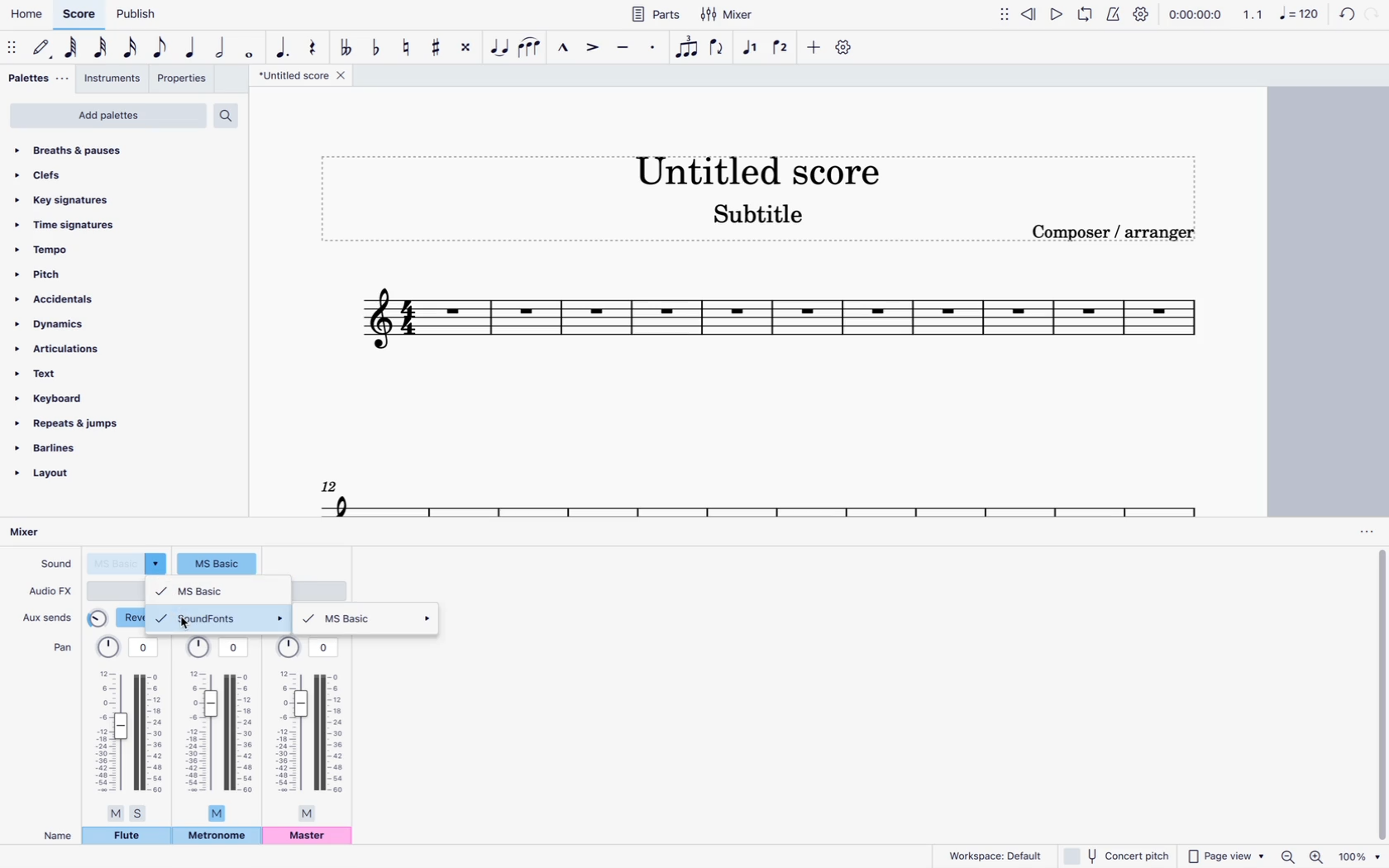 The image size is (1389, 868). I want to click on workspace, so click(990, 855).